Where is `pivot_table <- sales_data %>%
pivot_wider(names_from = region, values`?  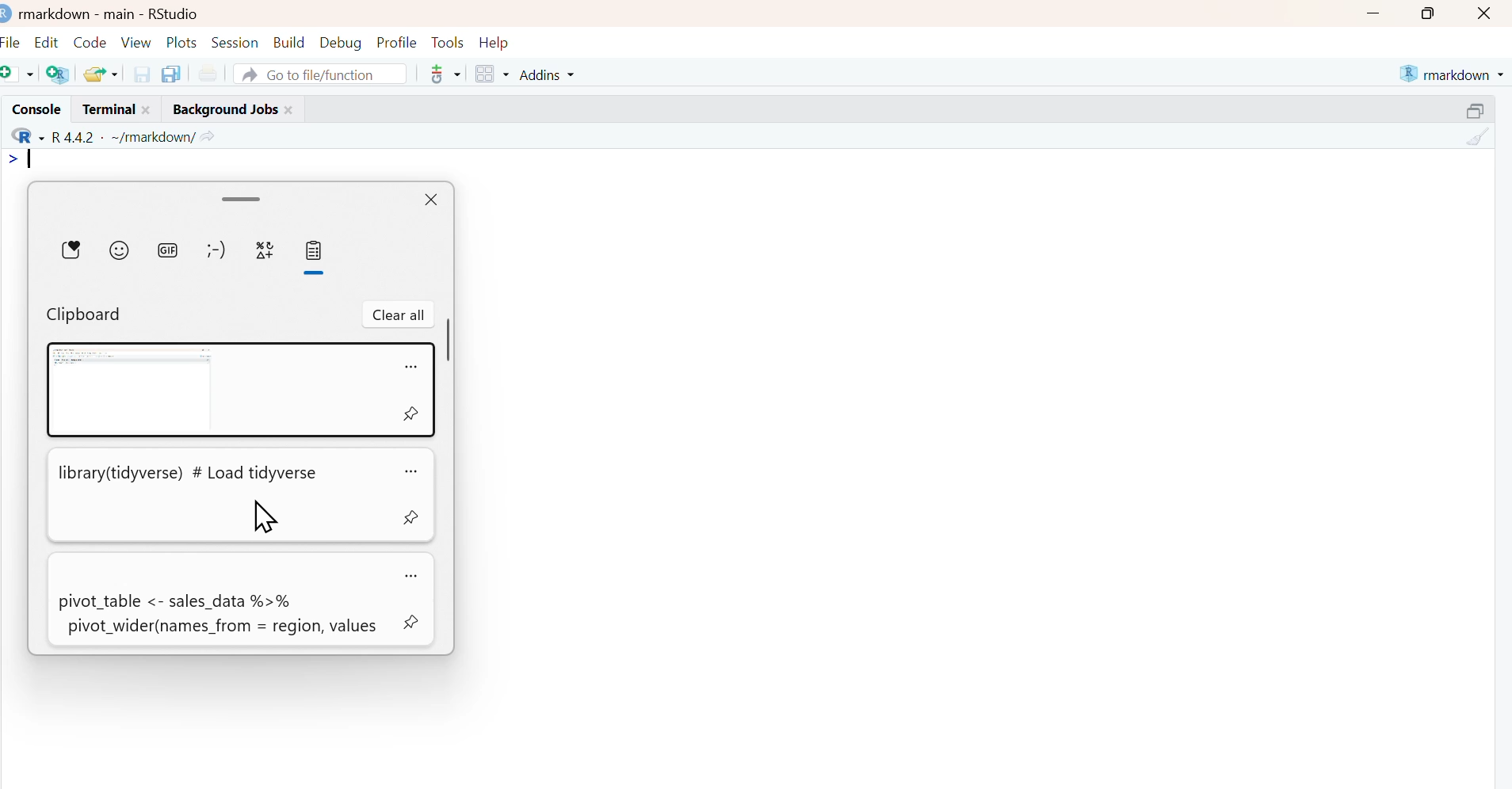 pivot_table <- sales_data %>%
pivot_wider(names_from = region, values is located at coordinates (221, 599).